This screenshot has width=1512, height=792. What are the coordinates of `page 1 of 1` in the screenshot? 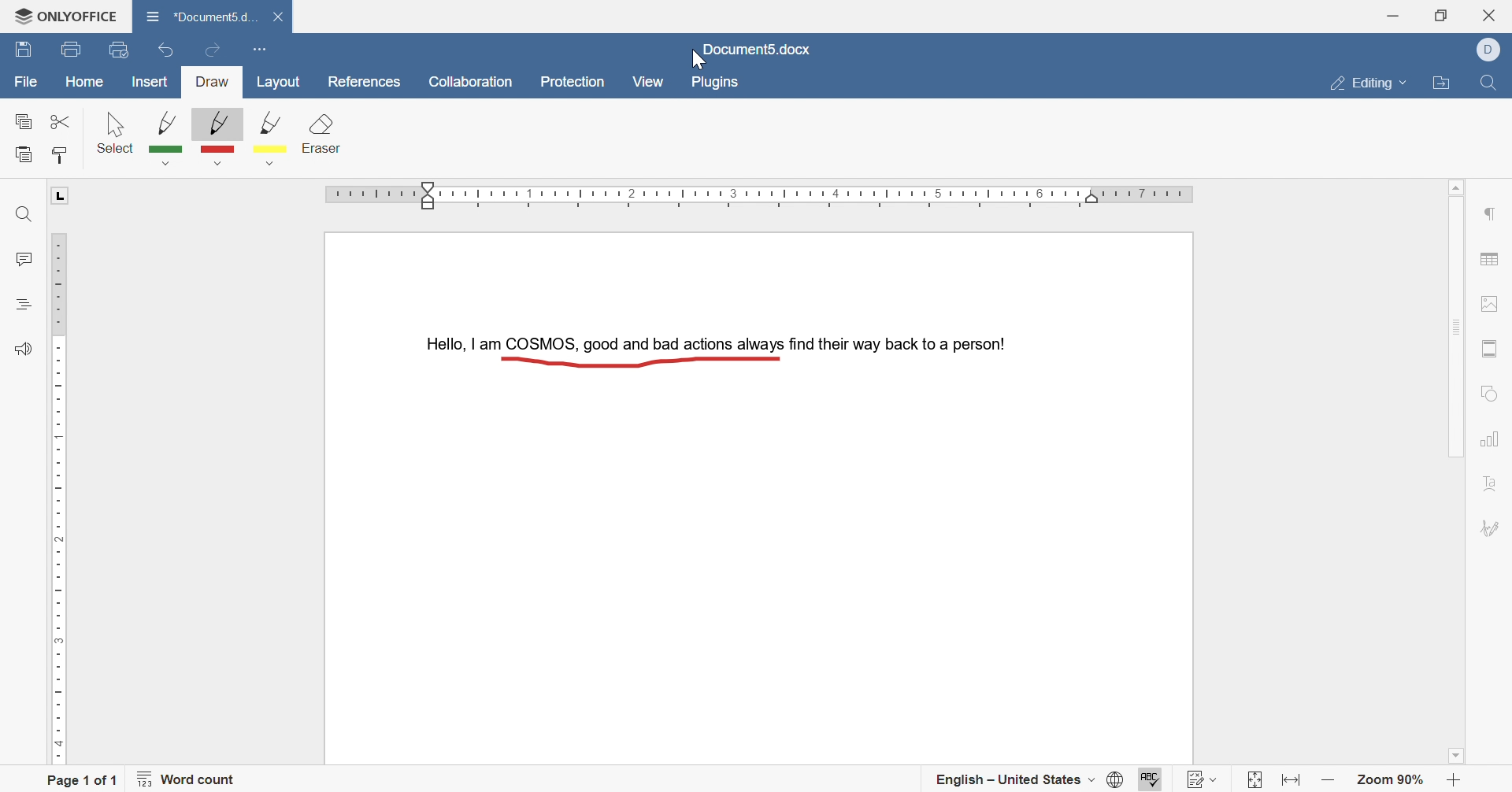 It's located at (83, 779).